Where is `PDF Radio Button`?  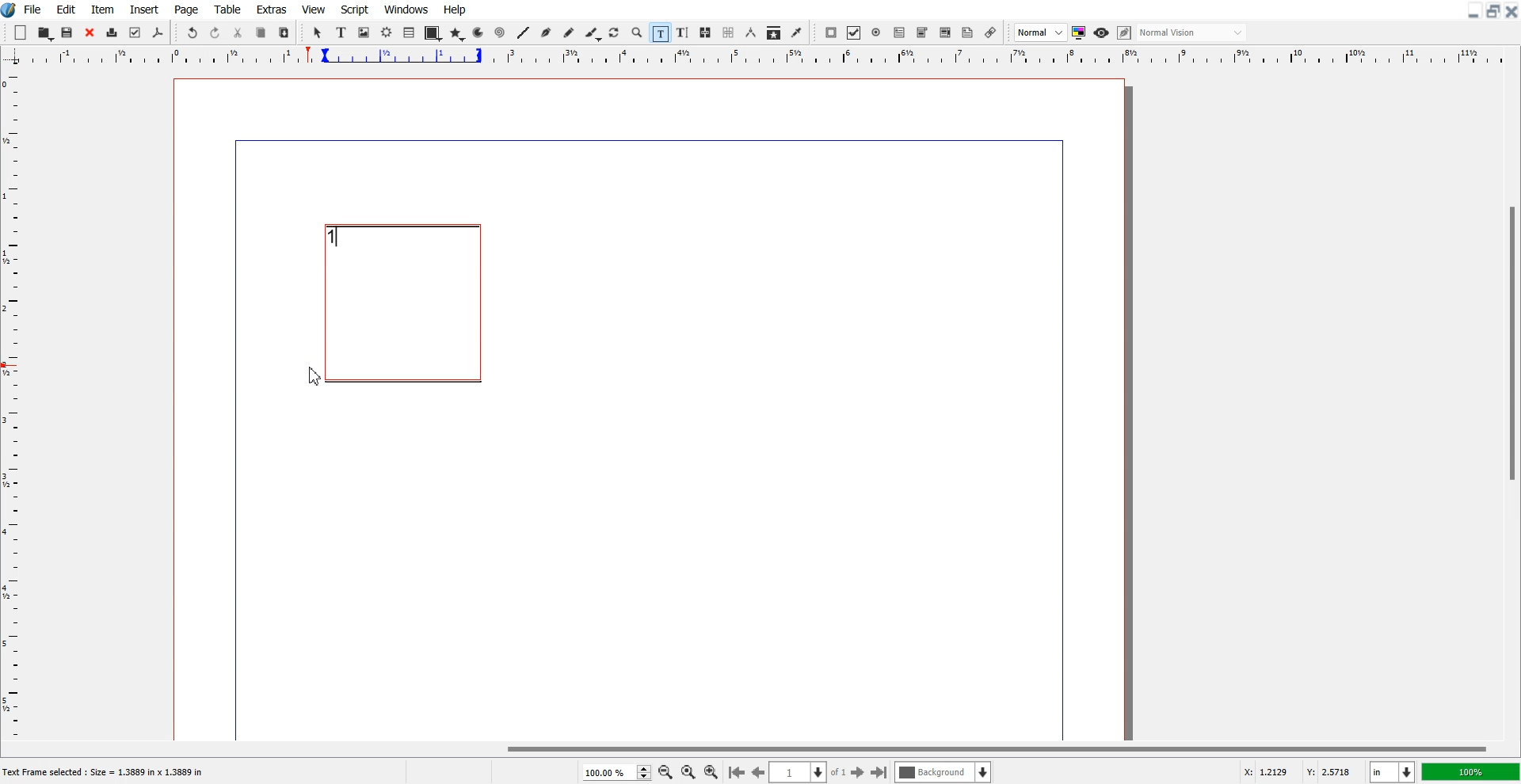
PDF Radio Button is located at coordinates (877, 32).